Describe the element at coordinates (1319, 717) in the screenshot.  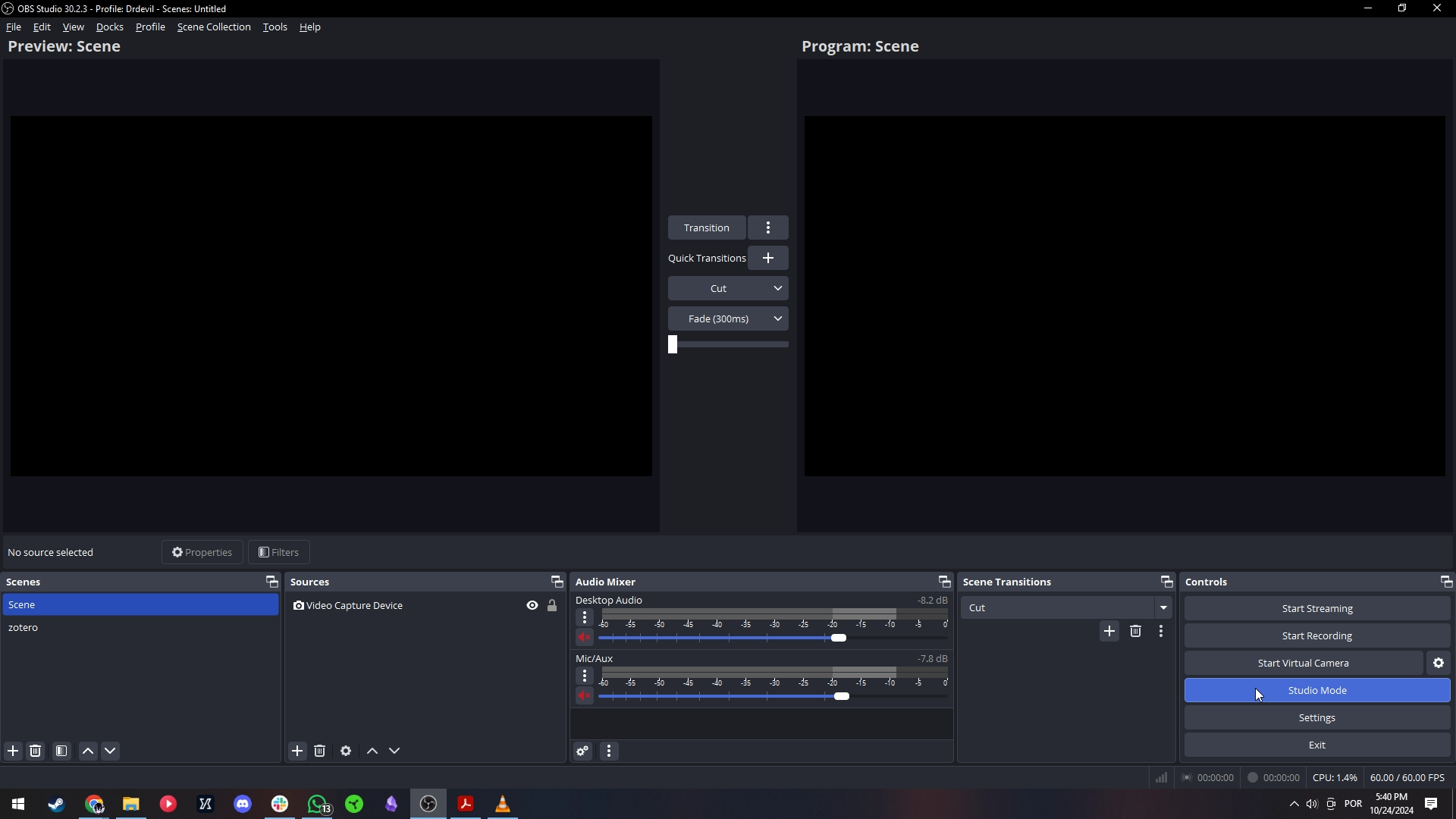
I see `Settings` at that location.